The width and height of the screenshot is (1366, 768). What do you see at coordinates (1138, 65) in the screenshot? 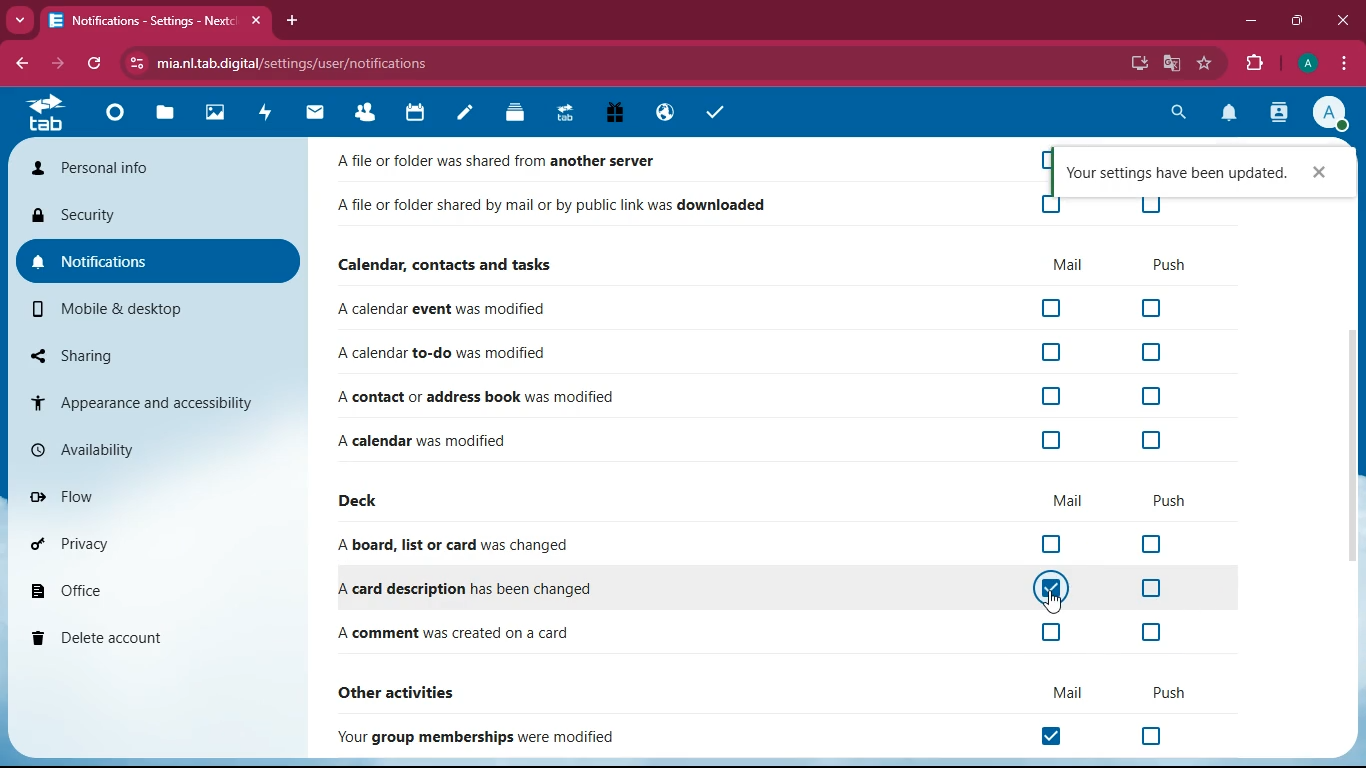
I see `desktop` at bounding box center [1138, 65].